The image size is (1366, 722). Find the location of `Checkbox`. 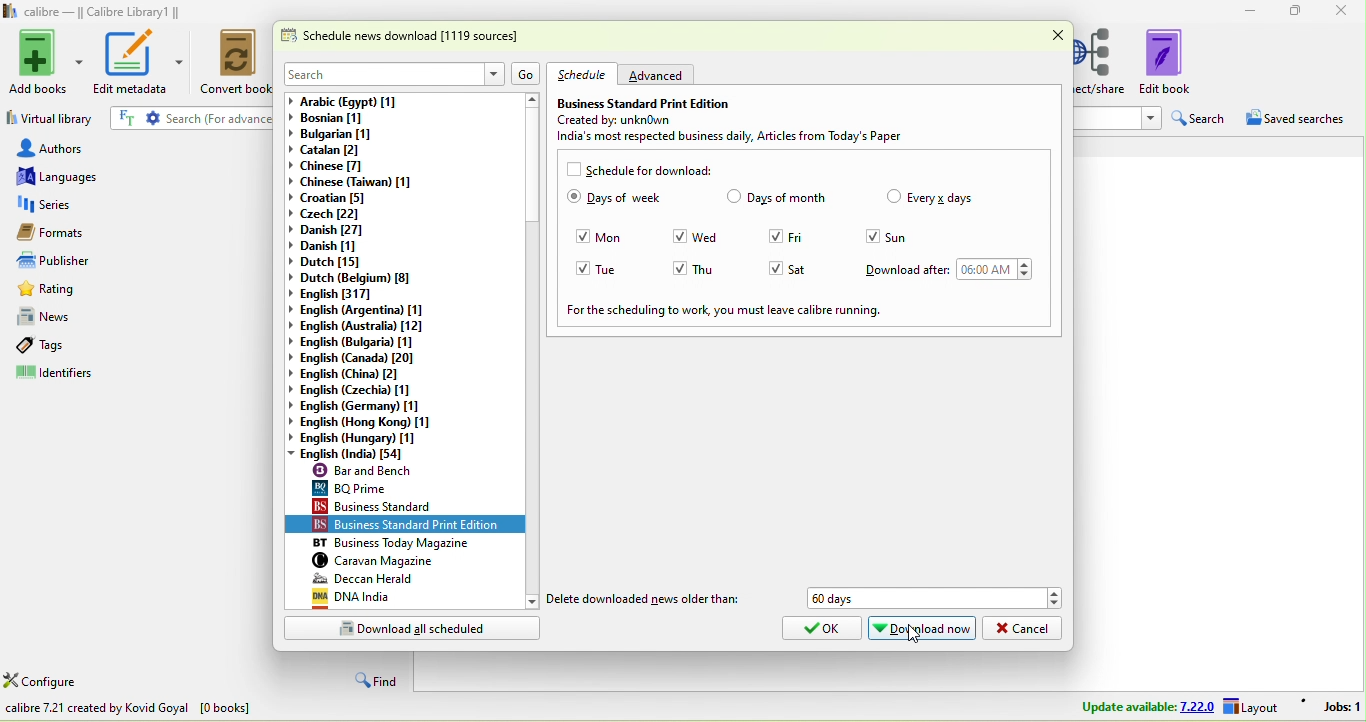

Checkbox is located at coordinates (773, 269).